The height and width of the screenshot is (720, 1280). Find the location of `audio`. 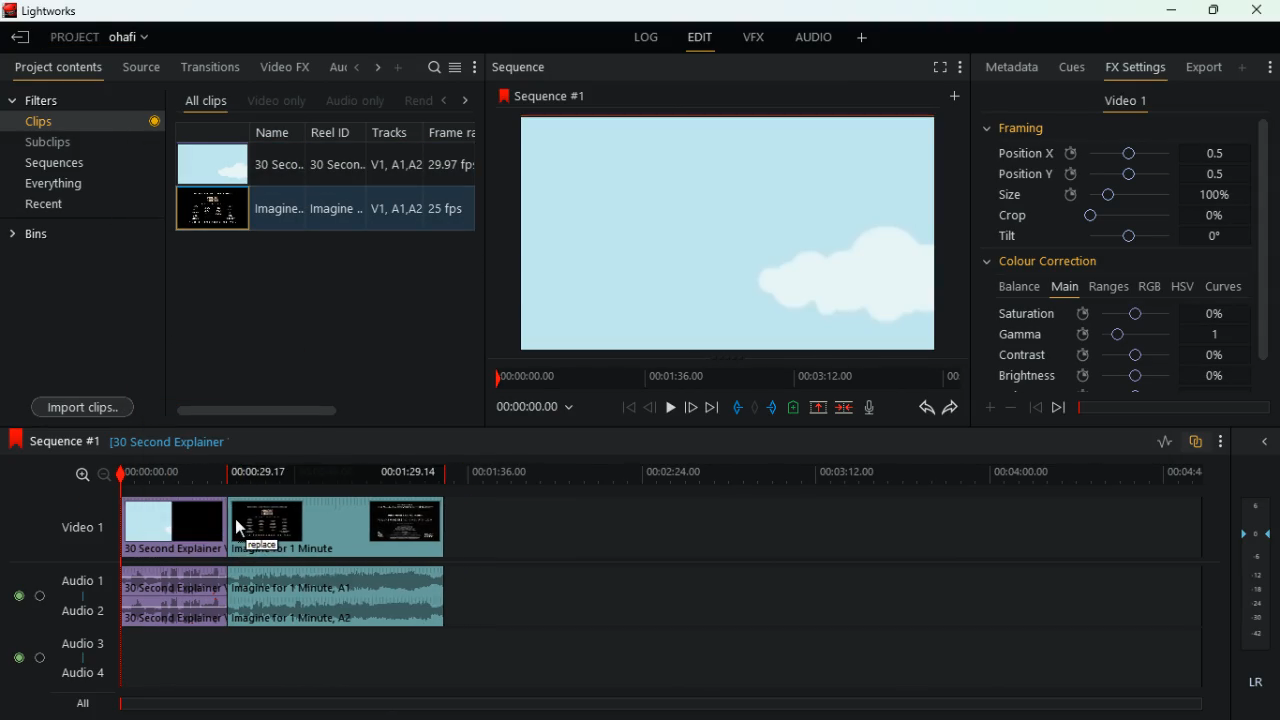

audio is located at coordinates (813, 38).